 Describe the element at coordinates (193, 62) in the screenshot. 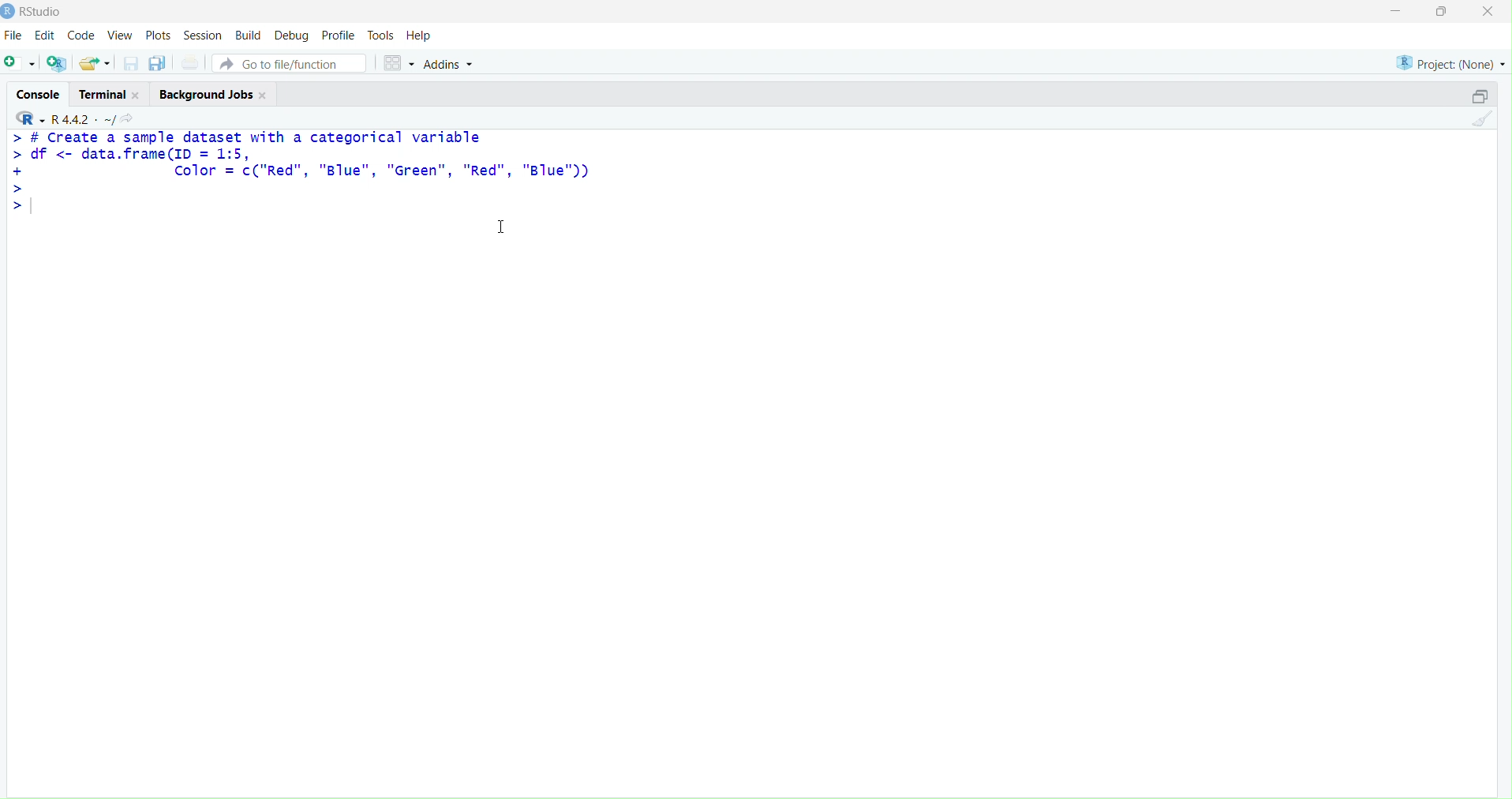

I see `print` at that location.